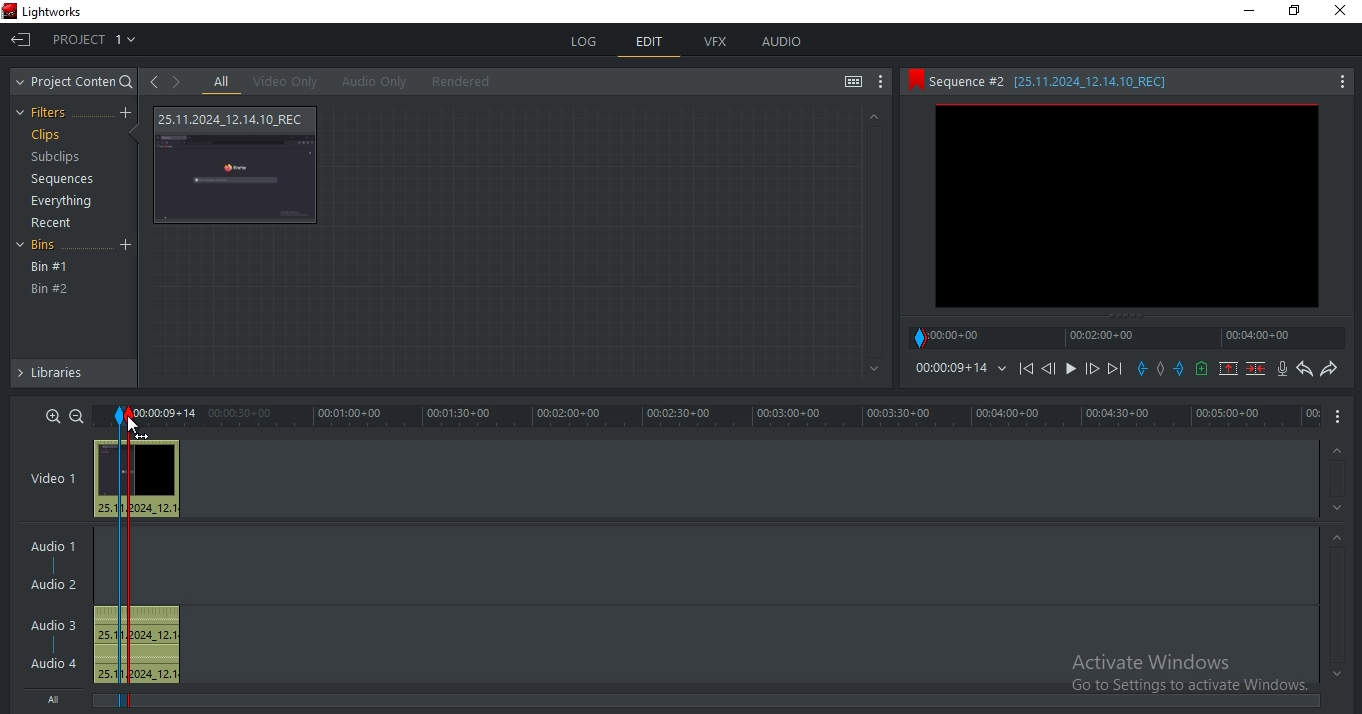 The image size is (1362, 714). Describe the element at coordinates (1299, 14) in the screenshot. I see `Maximize` at that location.